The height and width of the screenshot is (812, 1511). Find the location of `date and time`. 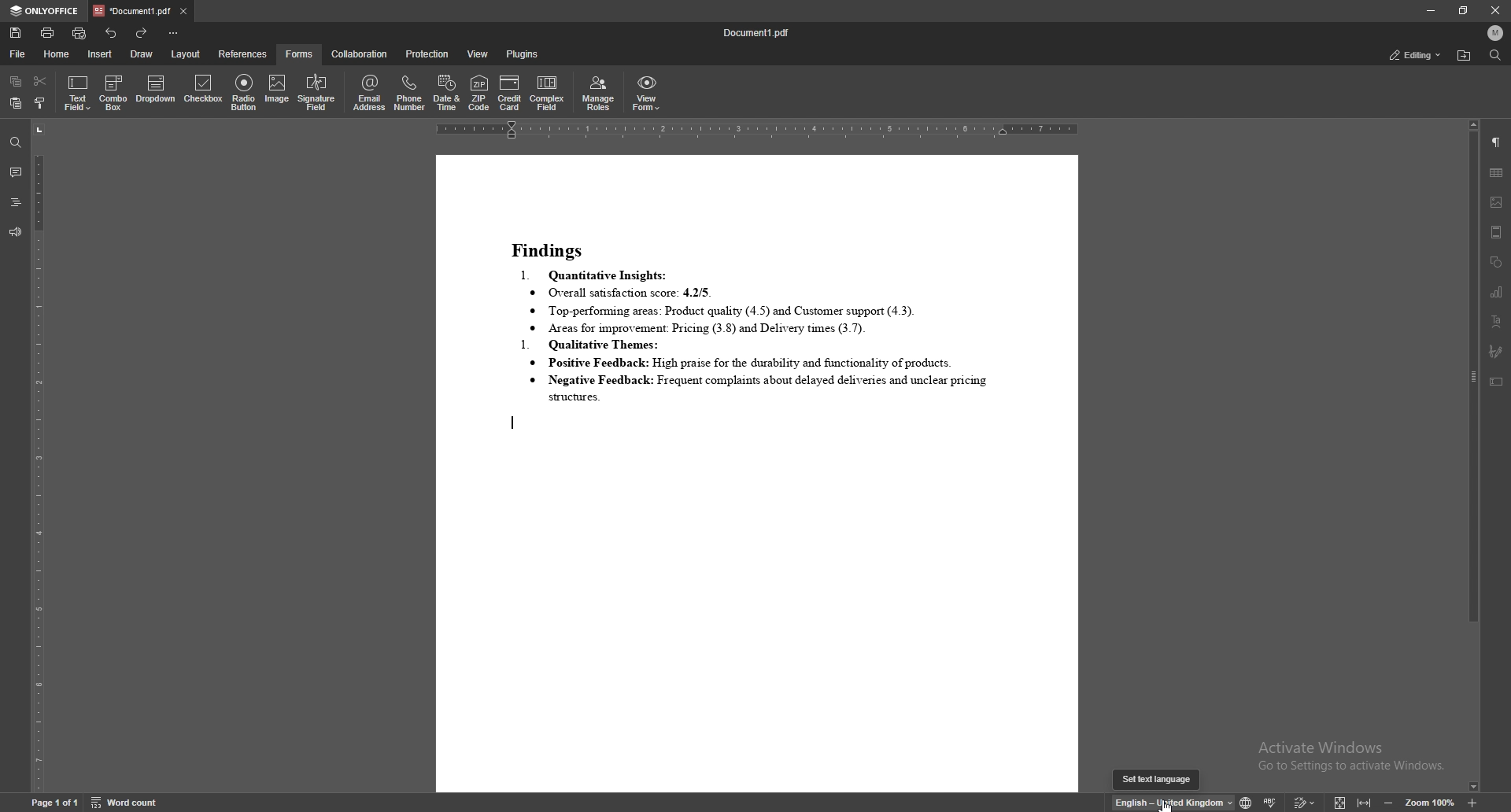

date and time is located at coordinates (448, 93).